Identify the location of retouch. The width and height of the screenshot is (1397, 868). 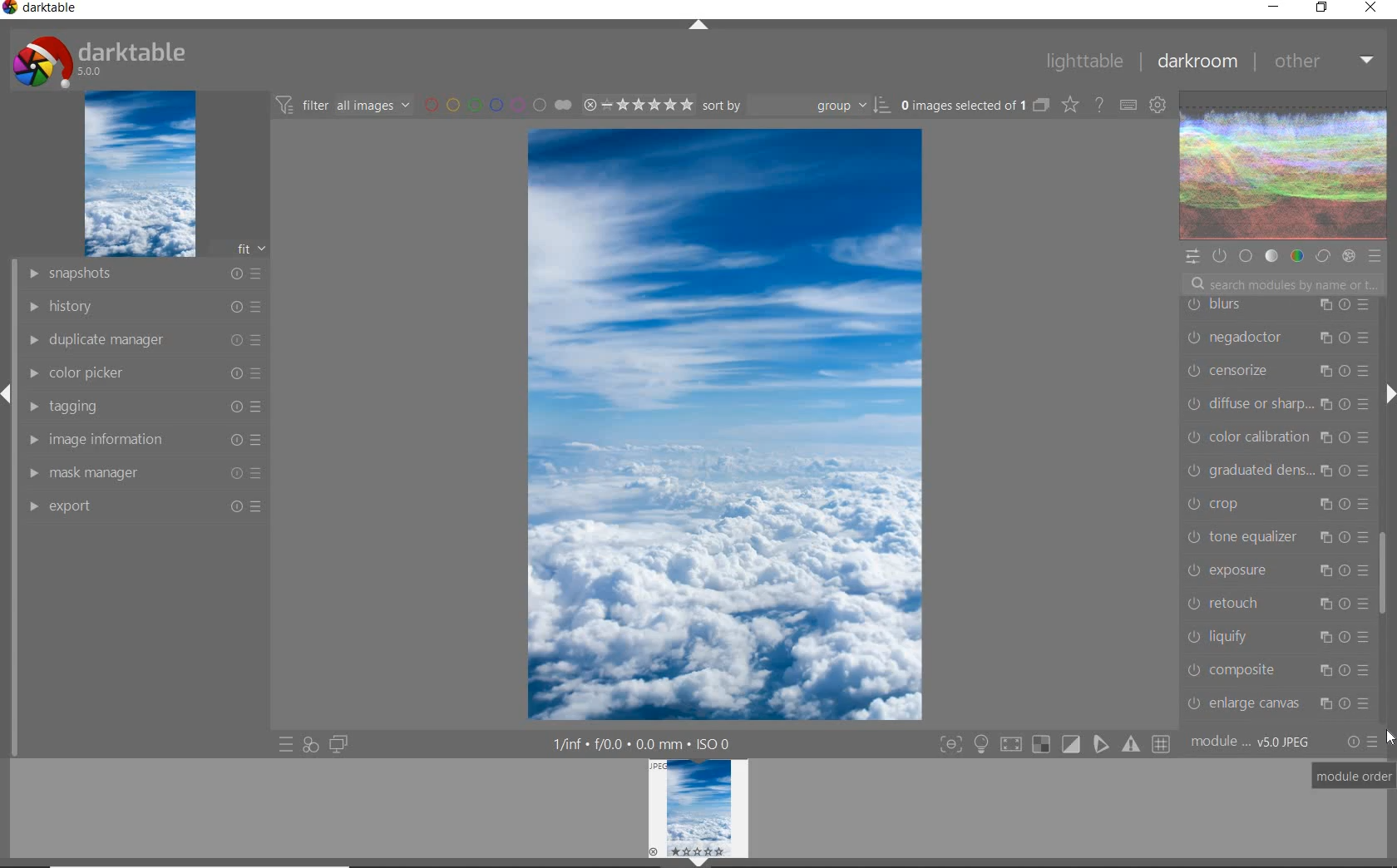
(1276, 602).